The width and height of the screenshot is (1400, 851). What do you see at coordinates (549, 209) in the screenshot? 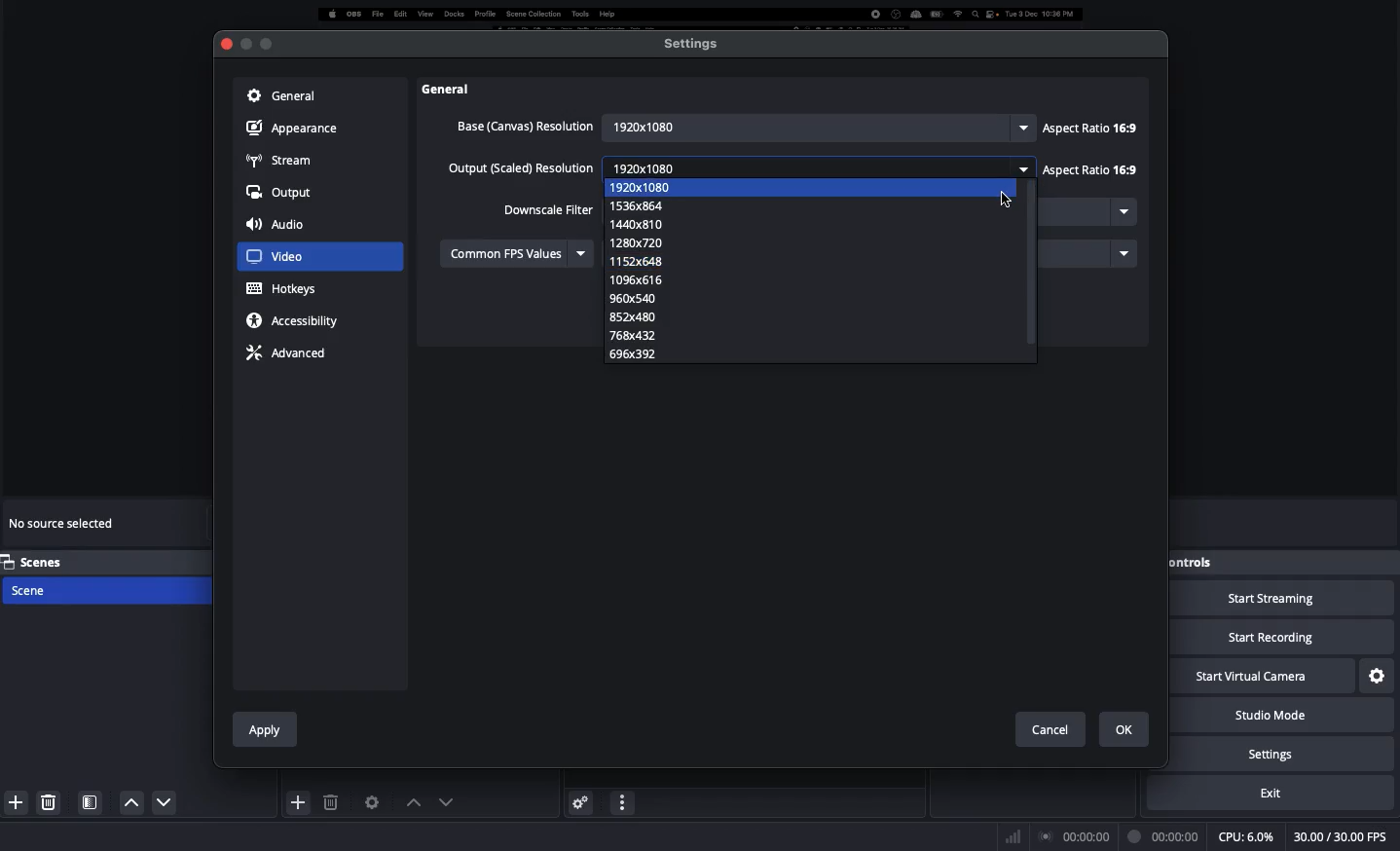
I see `Downscale filter` at bounding box center [549, 209].